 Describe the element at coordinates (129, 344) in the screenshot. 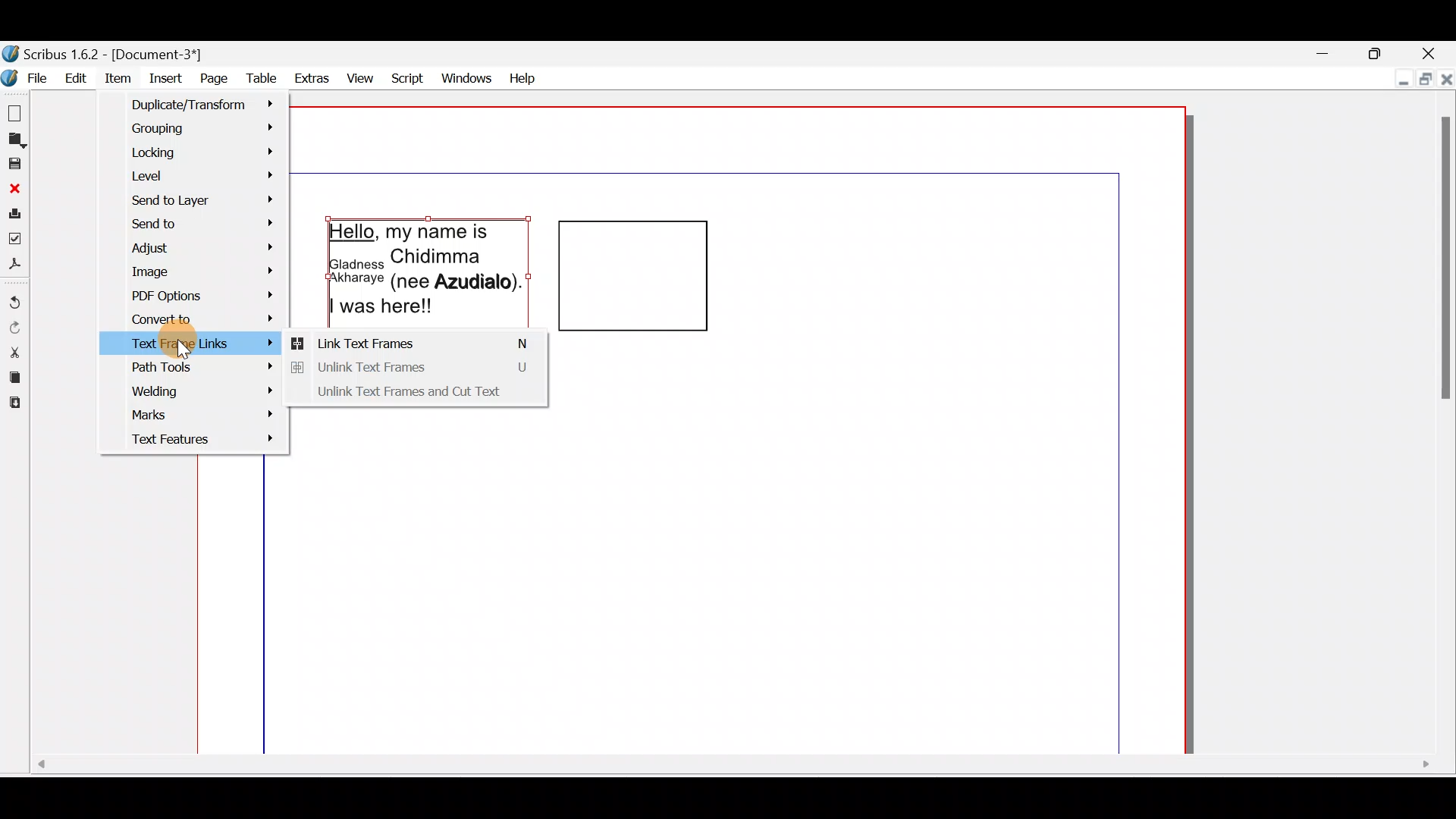

I see `Text frame links` at that location.